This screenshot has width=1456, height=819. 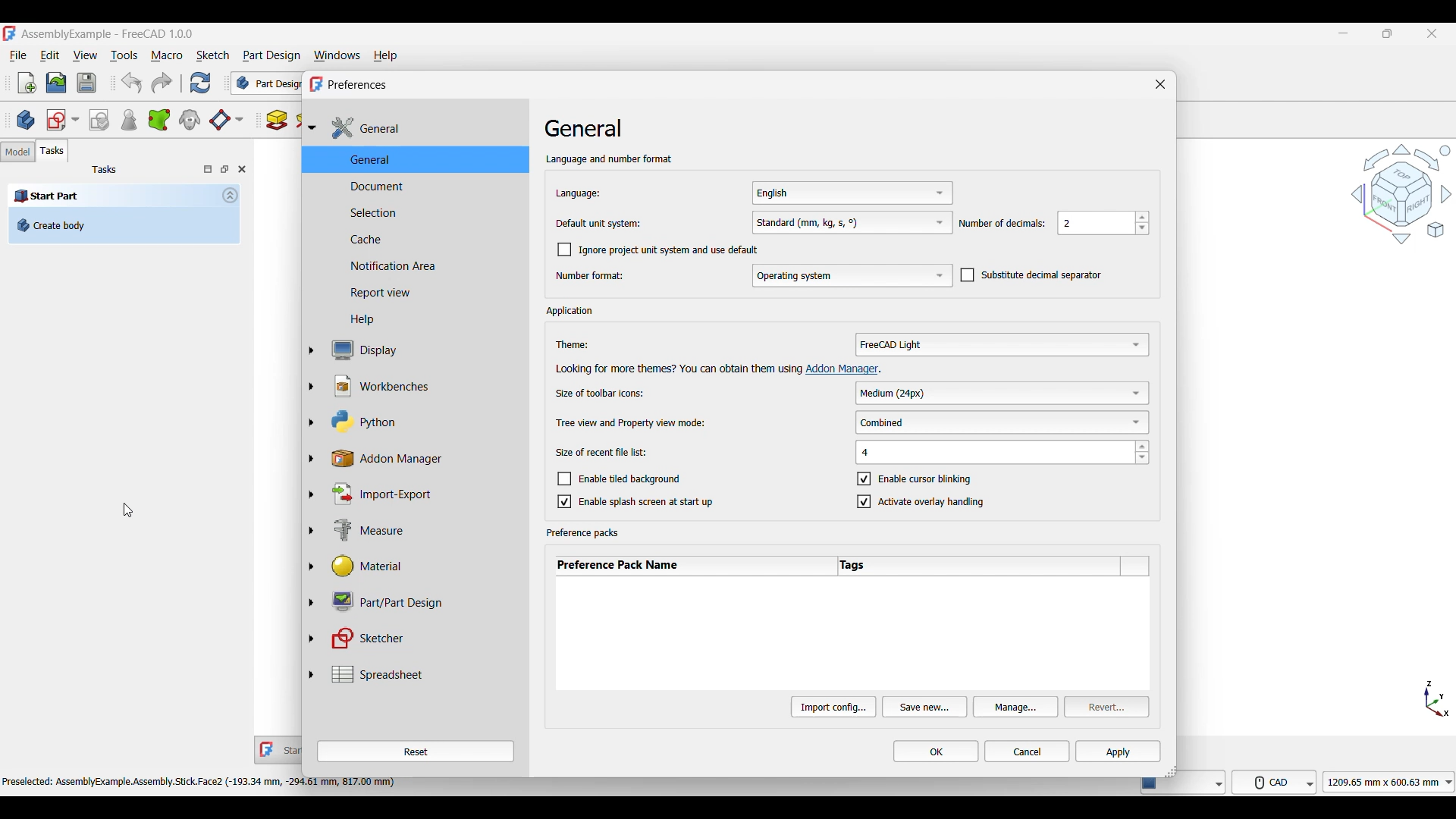 What do you see at coordinates (635, 500) in the screenshot?
I see `Enable splash screen at start up` at bounding box center [635, 500].